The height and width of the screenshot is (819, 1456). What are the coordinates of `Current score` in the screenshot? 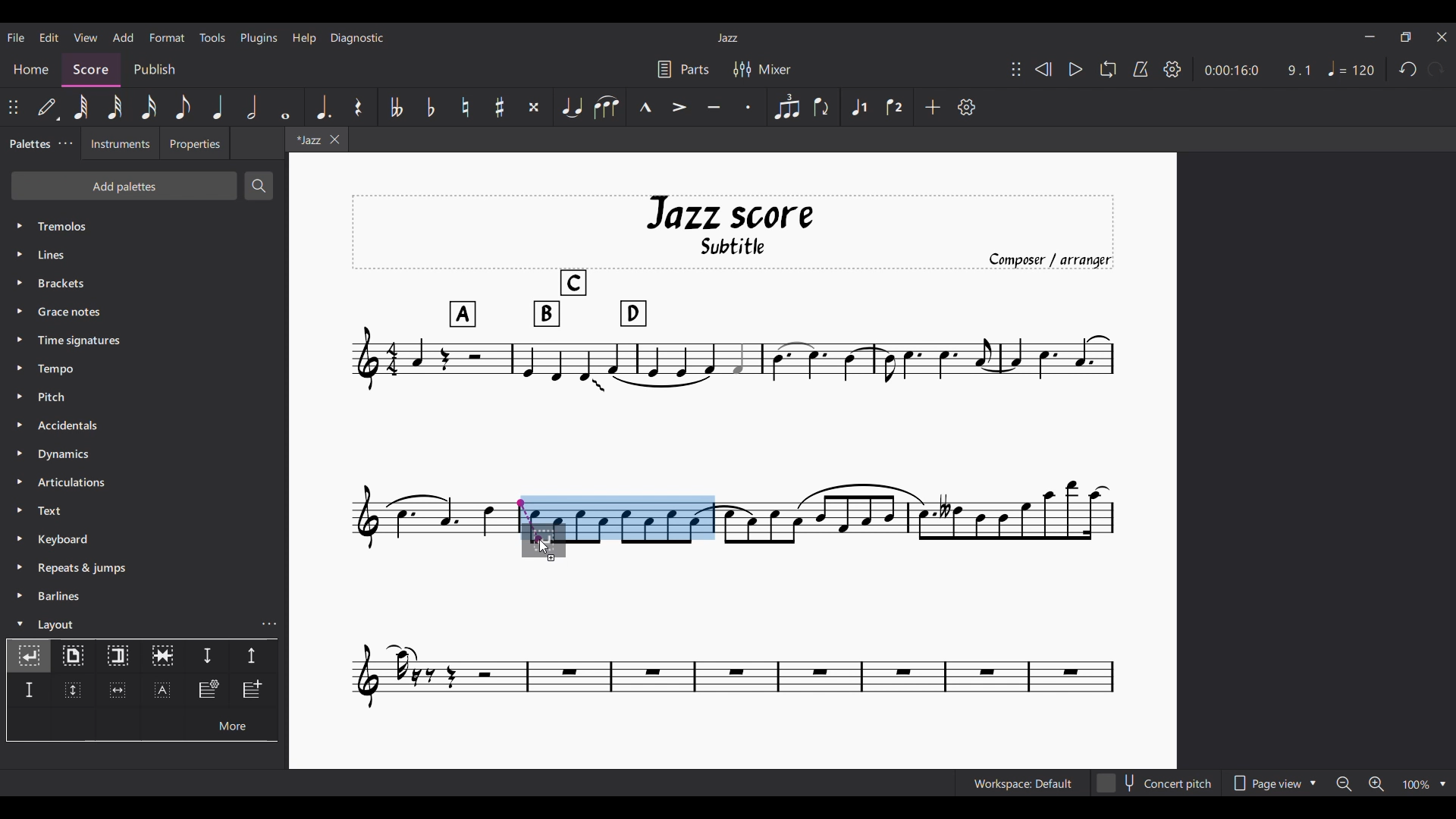 It's located at (733, 344).